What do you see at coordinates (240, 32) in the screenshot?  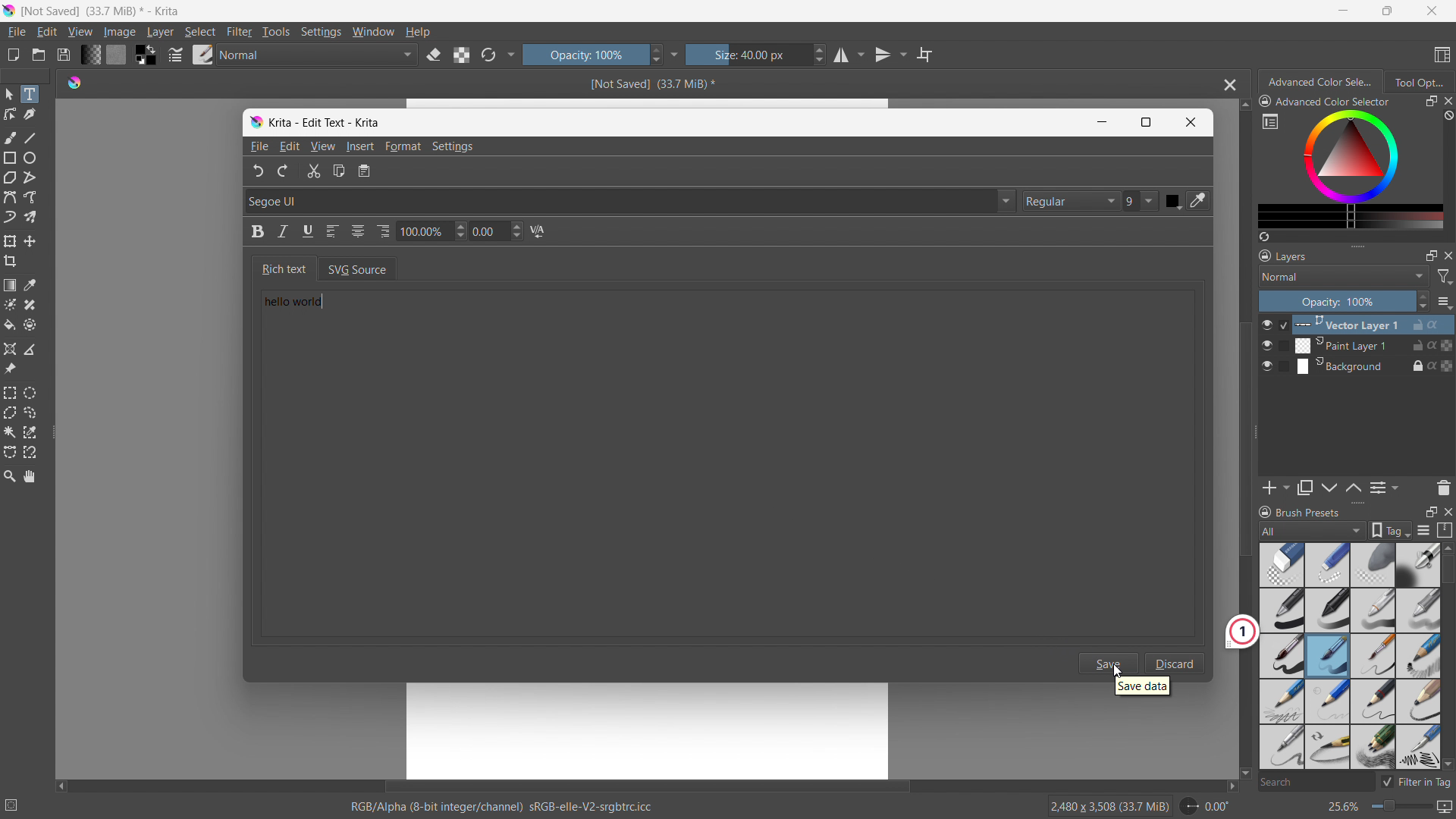 I see `filter` at bounding box center [240, 32].